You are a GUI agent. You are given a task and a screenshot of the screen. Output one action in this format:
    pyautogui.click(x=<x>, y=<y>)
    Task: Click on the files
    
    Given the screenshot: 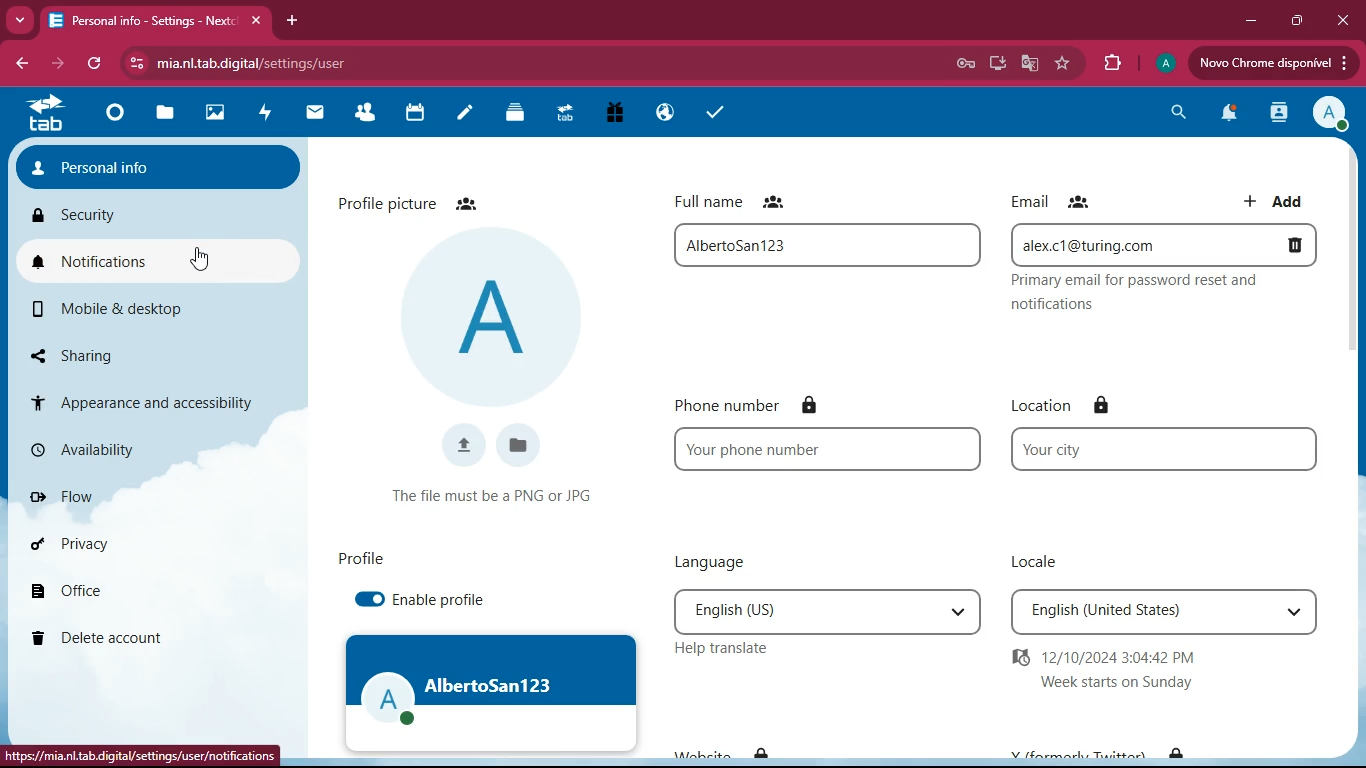 What is the action you would take?
    pyautogui.click(x=166, y=115)
    